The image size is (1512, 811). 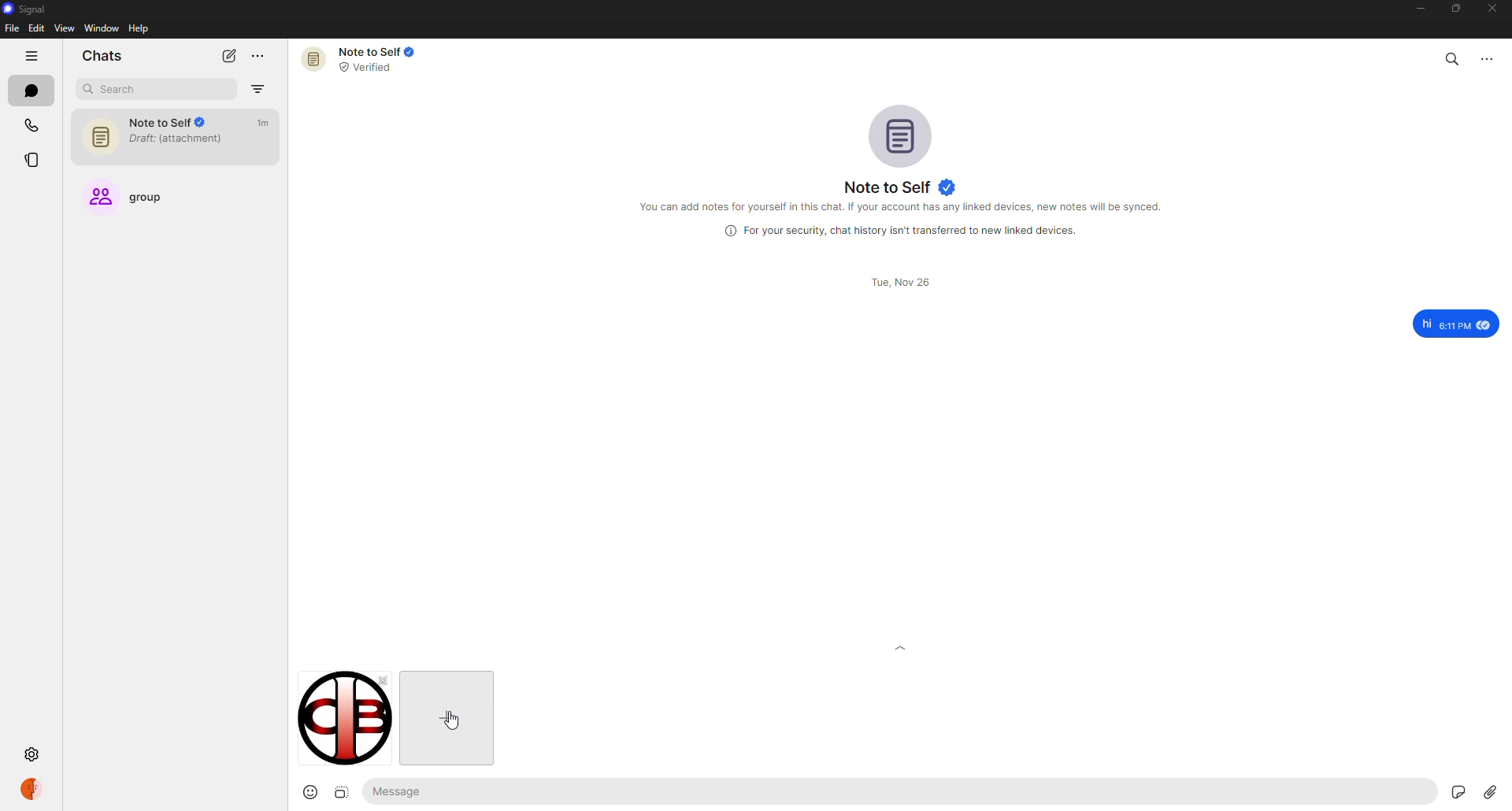 I want to click on image, so click(x=341, y=792).